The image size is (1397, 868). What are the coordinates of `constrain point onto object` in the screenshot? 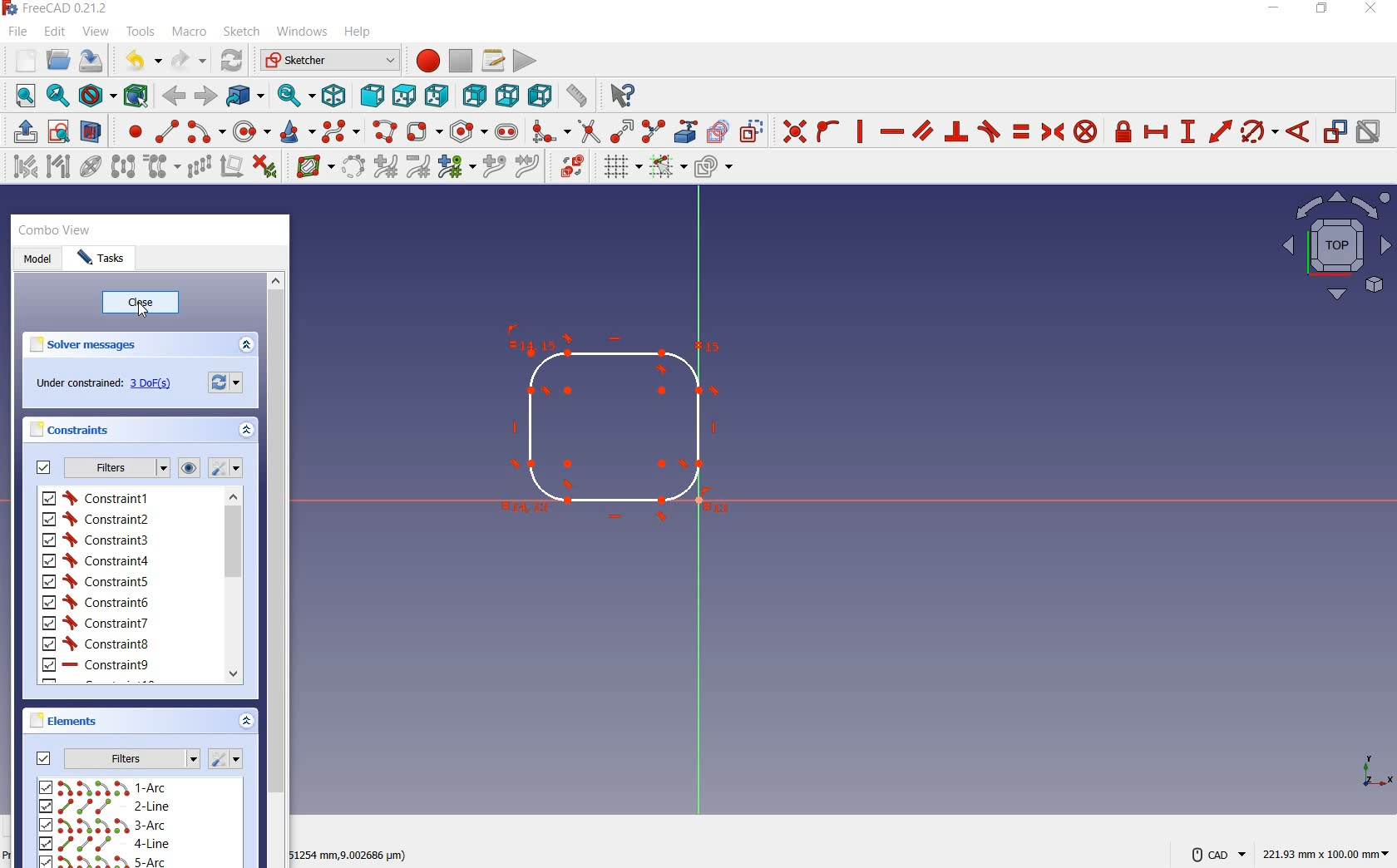 It's located at (828, 130).